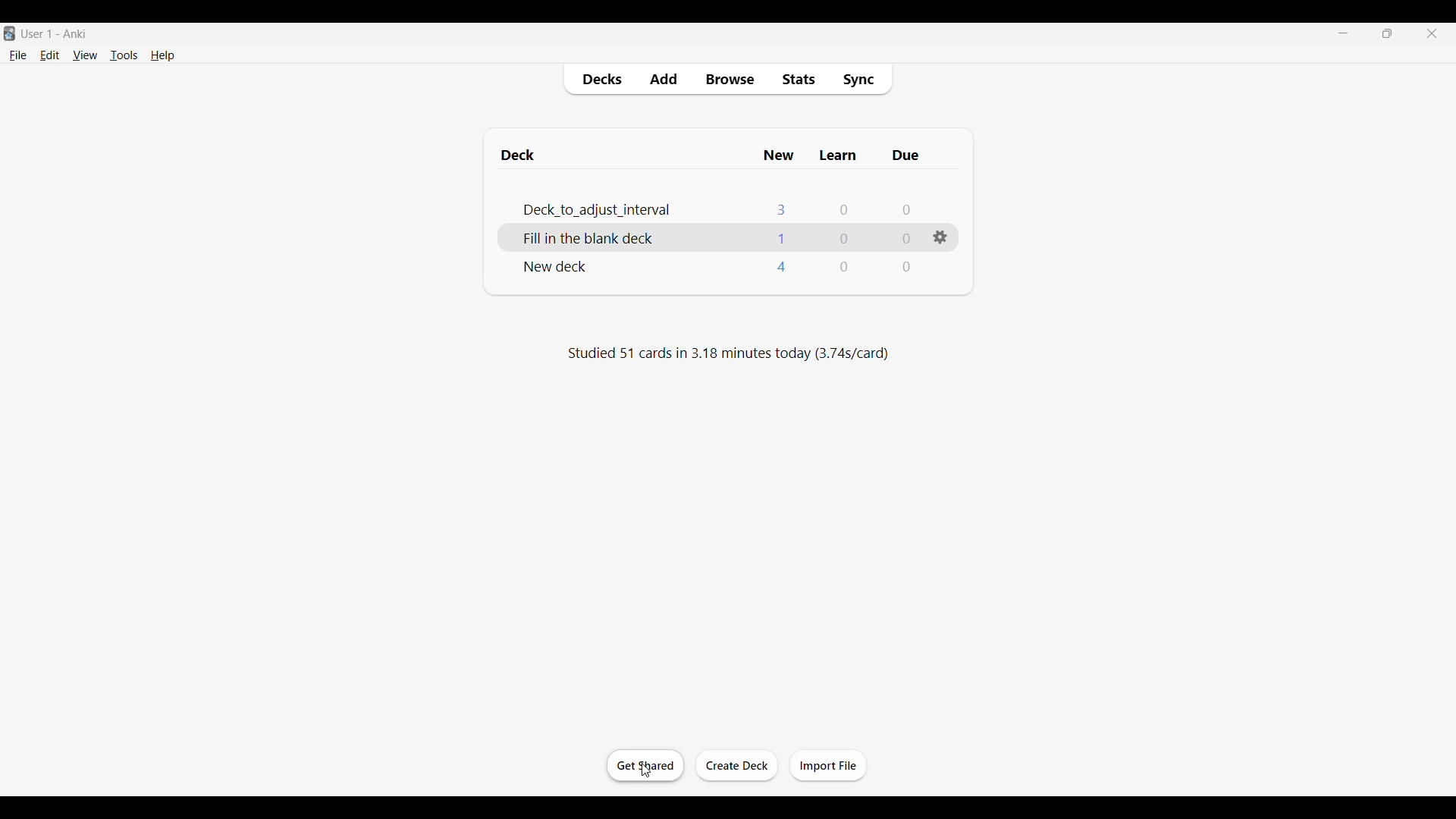  Describe the element at coordinates (18, 56) in the screenshot. I see `File menu` at that location.